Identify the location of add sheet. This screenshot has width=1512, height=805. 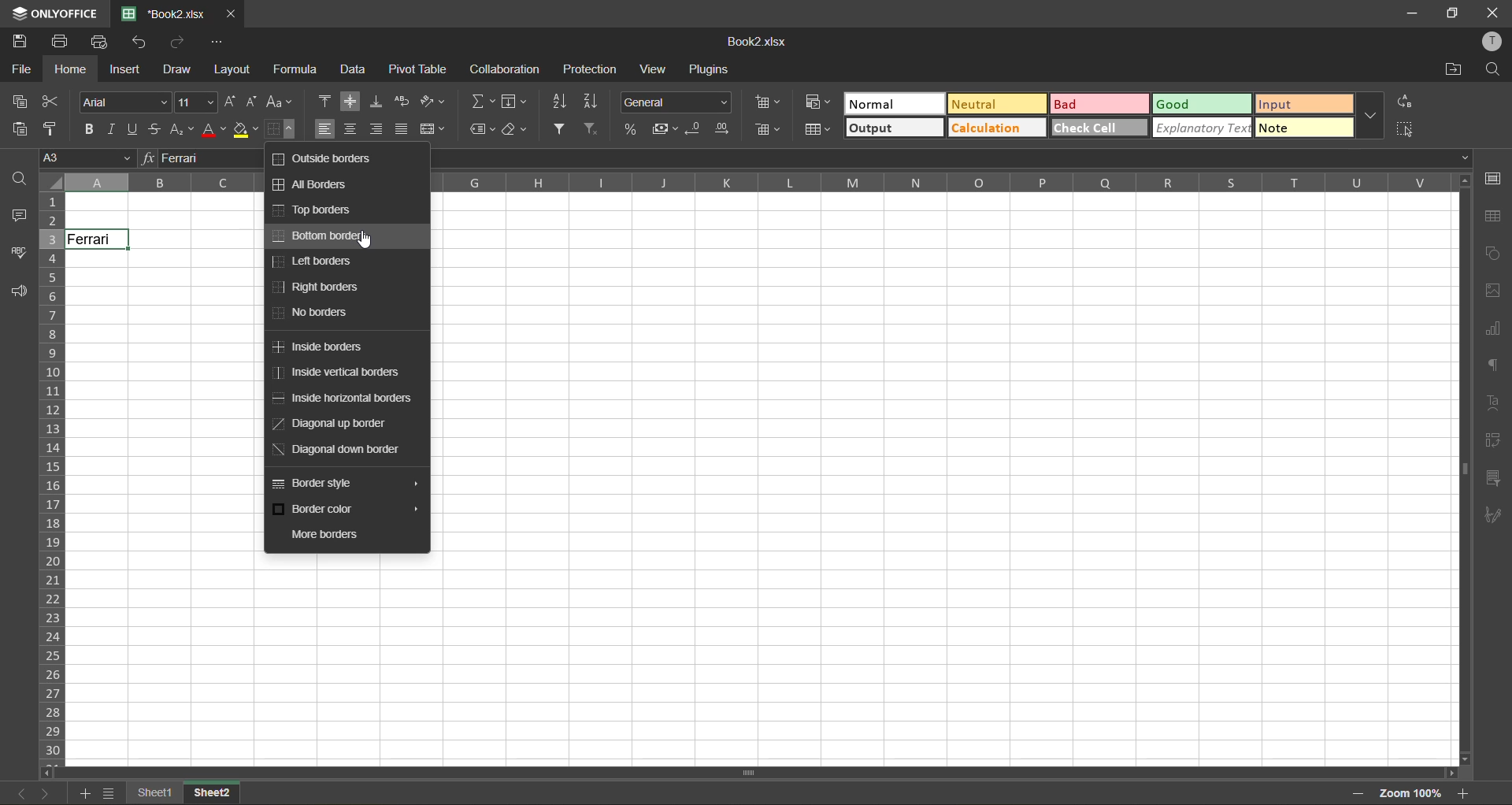
(82, 794).